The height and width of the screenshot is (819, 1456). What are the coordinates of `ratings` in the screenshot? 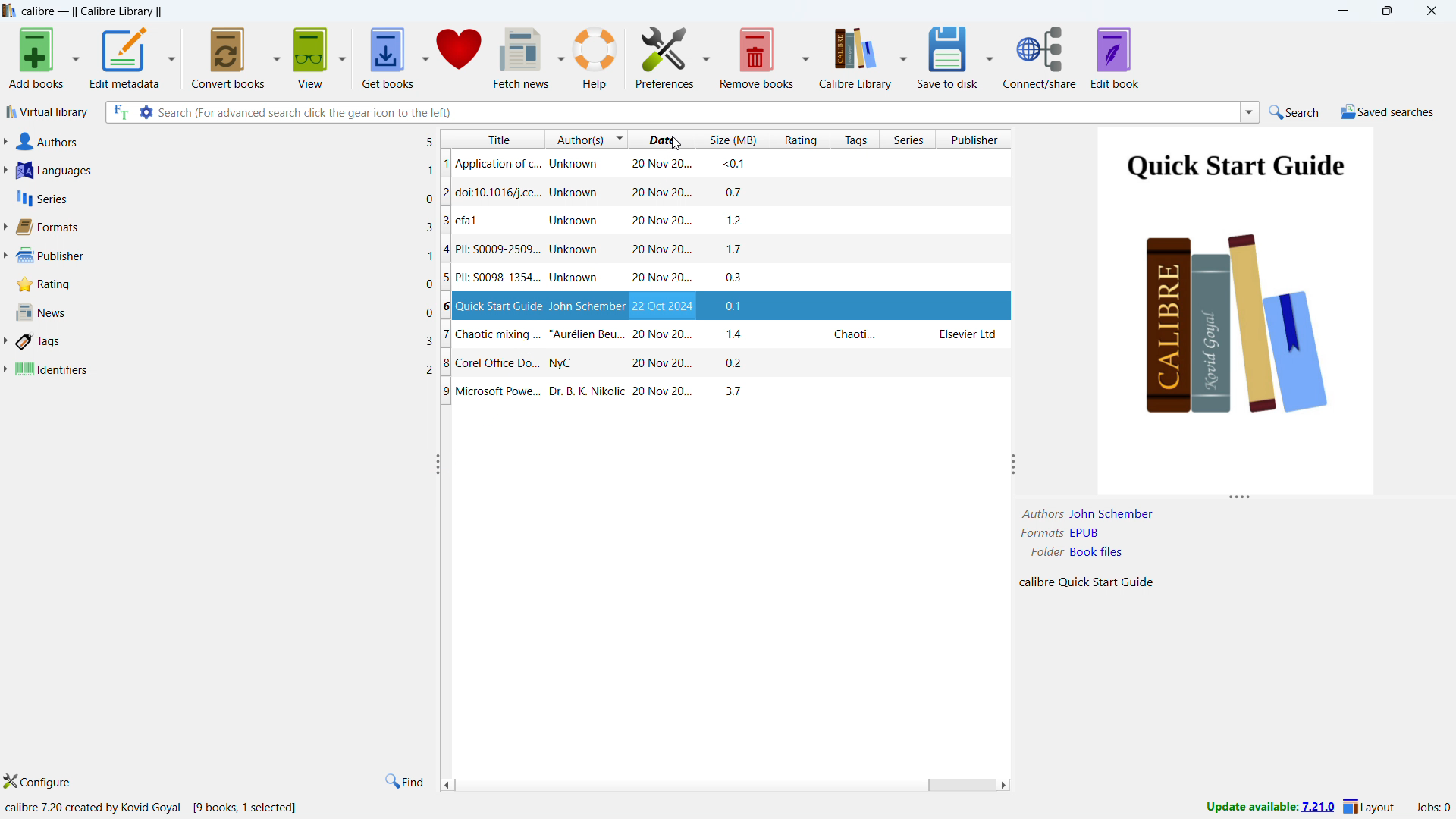 It's located at (224, 284).